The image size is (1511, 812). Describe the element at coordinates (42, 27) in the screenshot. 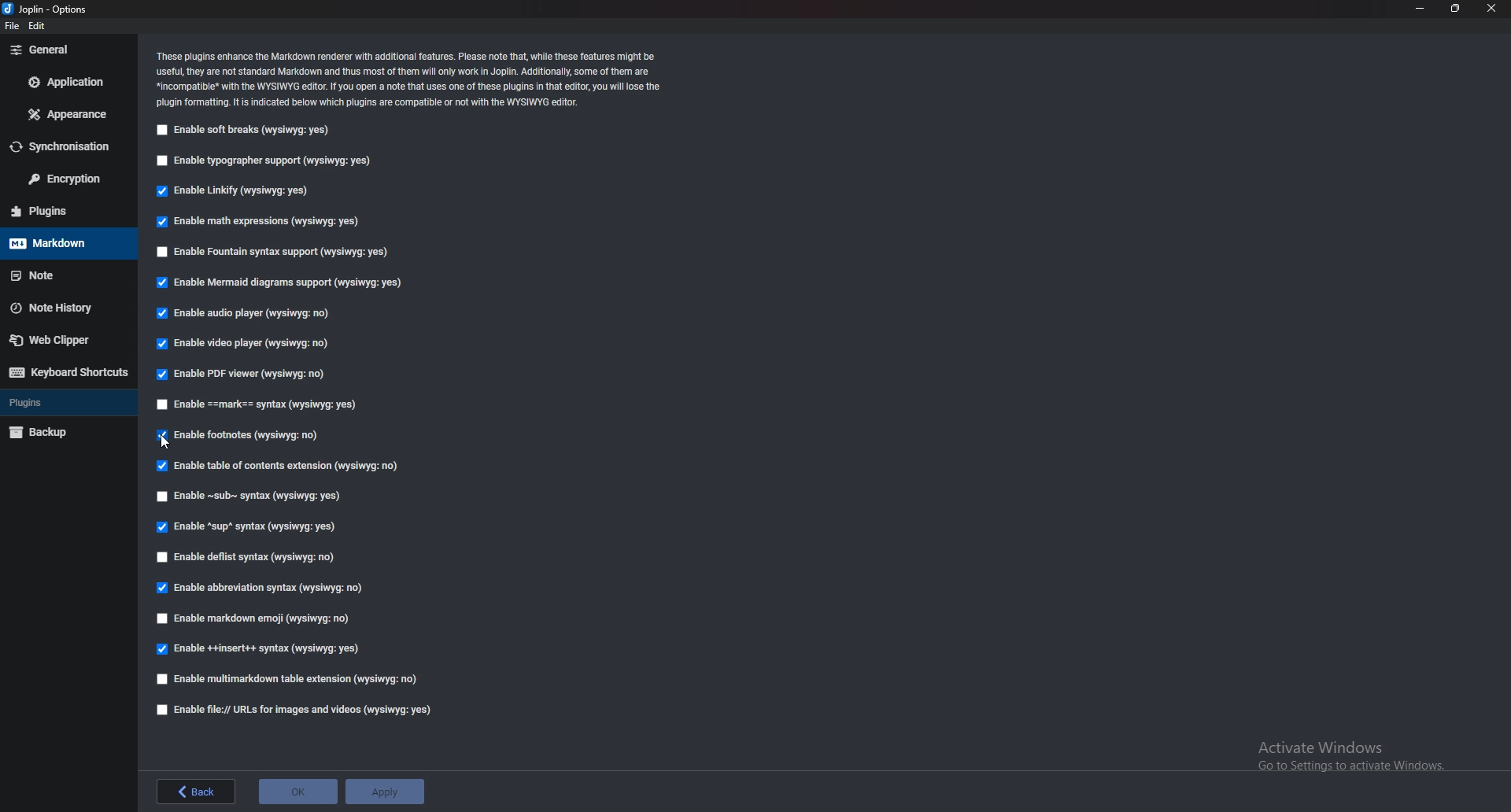

I see `edit` at that location.